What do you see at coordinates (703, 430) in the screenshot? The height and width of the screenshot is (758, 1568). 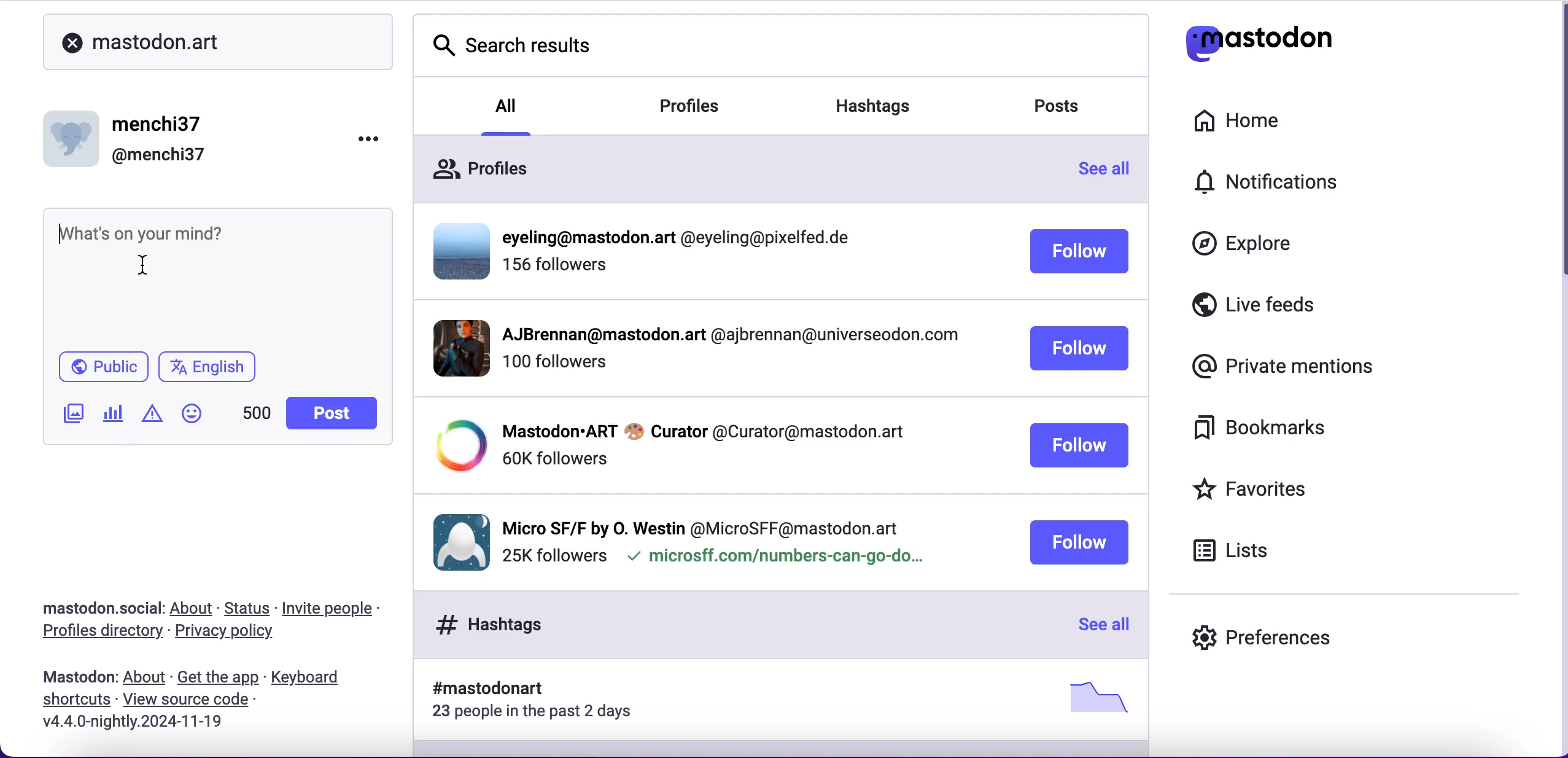 I see `profile` at bounding box center [703, 430].